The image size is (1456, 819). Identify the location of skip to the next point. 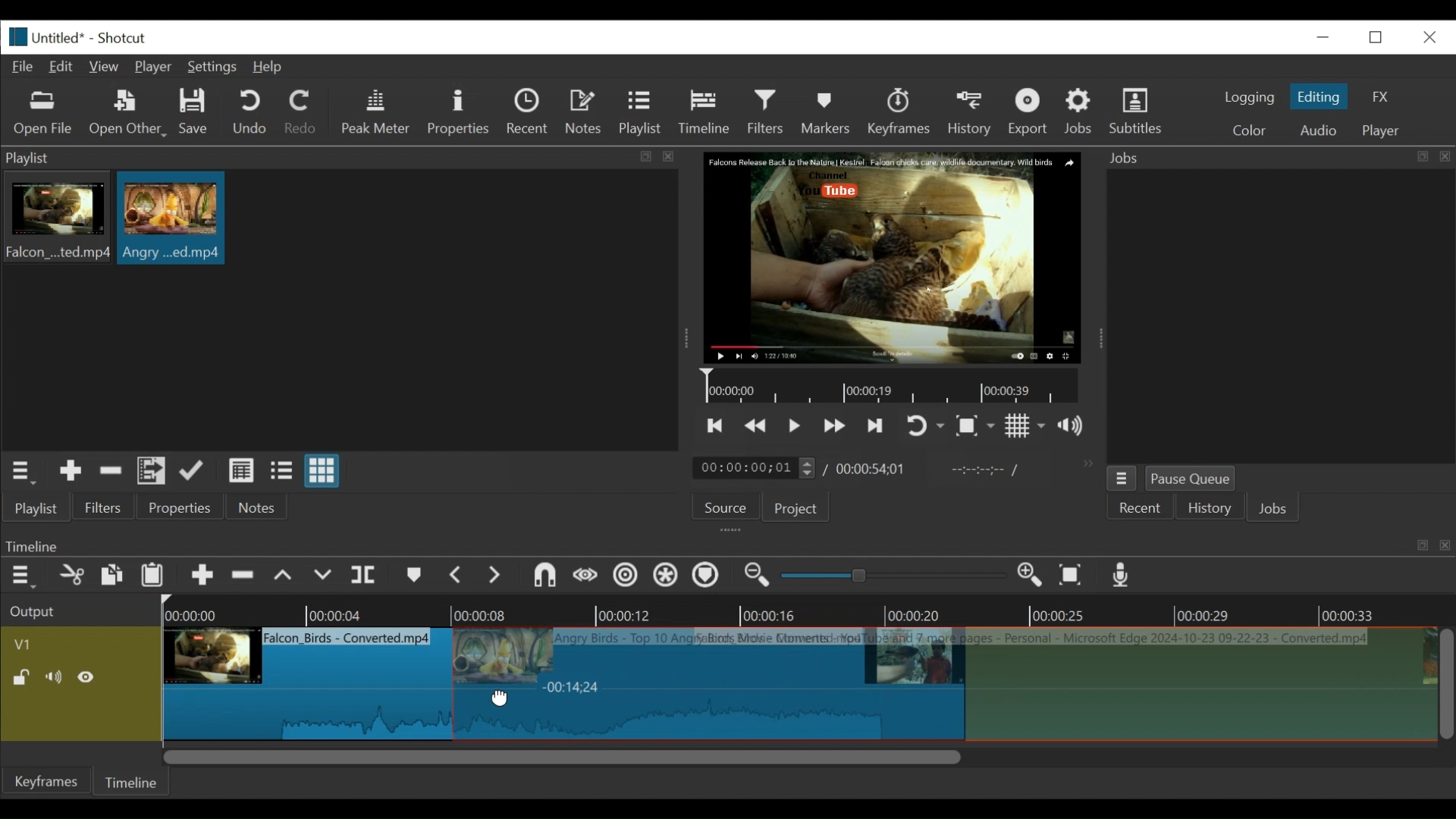
(877, 425).